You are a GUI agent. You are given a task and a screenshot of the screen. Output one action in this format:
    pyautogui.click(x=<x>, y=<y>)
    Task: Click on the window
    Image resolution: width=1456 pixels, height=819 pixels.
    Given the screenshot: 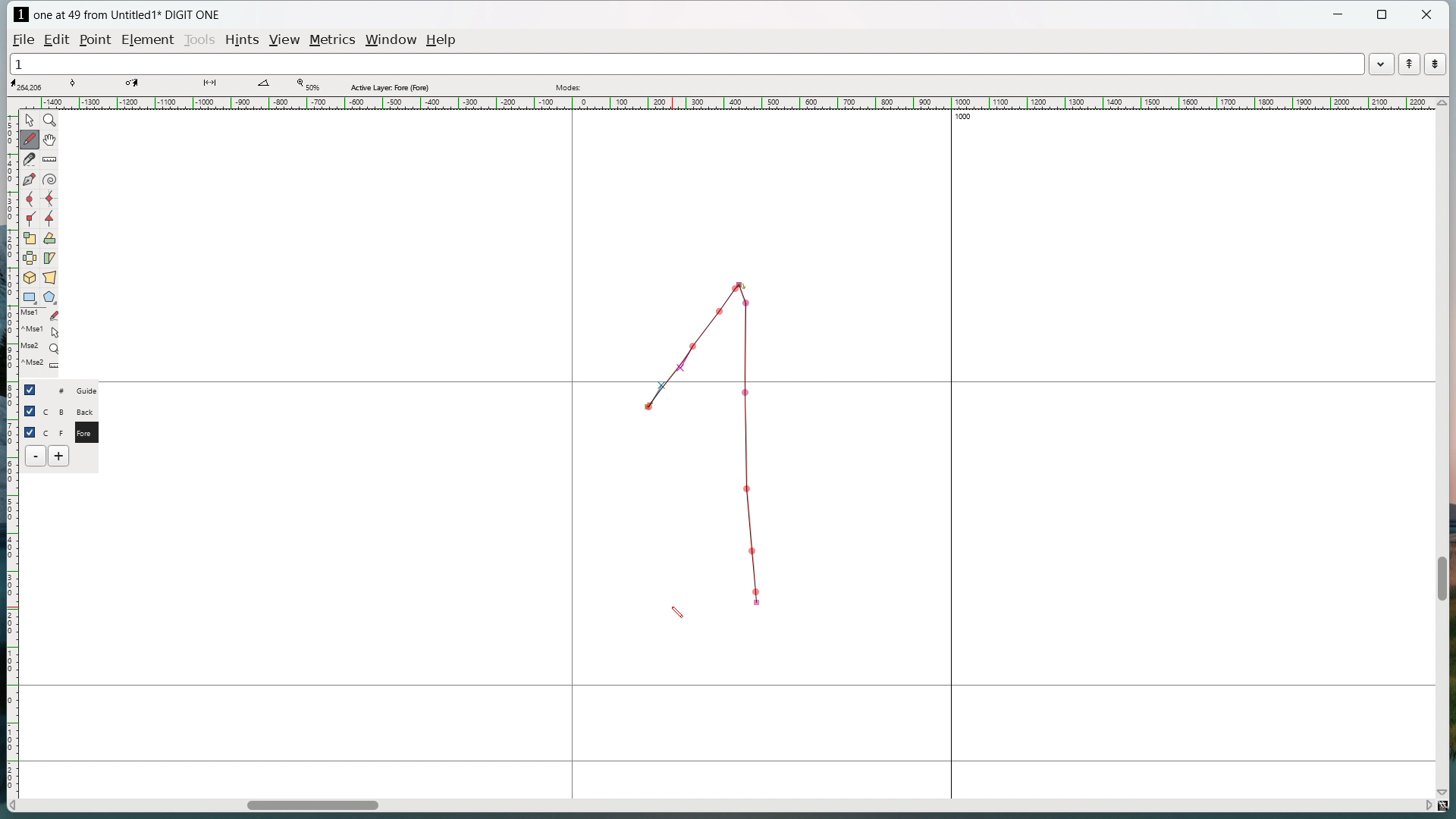 What is the action you would take?
    pyautogui.click(x=393, y=39)
    